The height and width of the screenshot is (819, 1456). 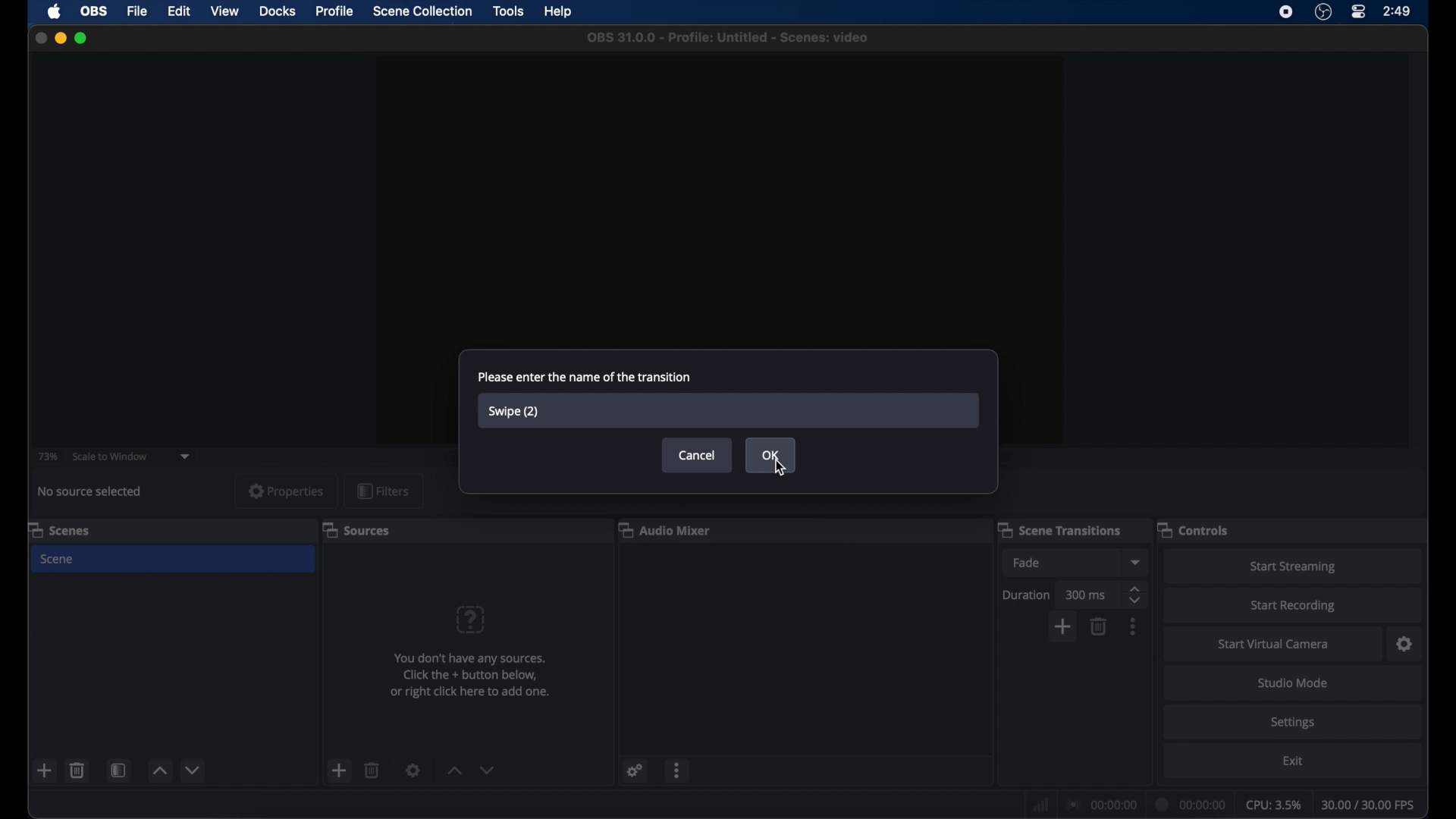 I want to click on start recording, so click(x=1293, y=606).